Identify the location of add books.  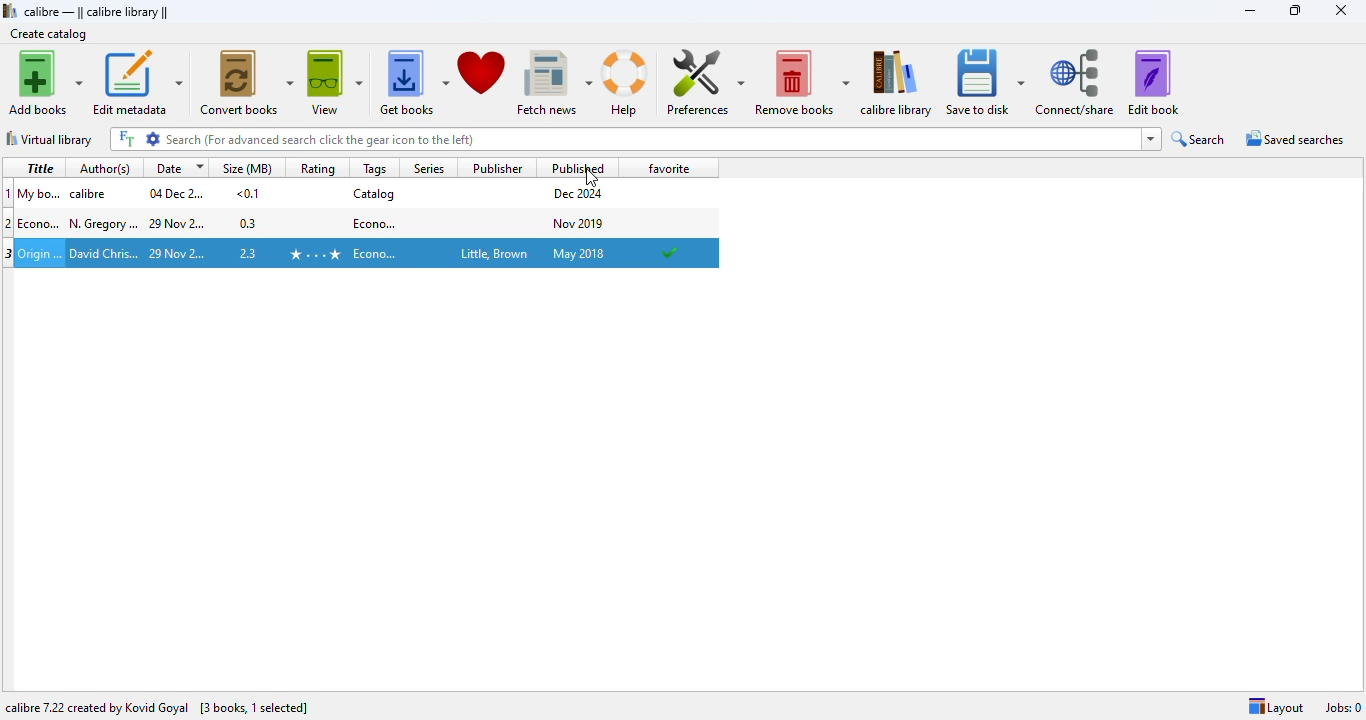
(47, 83).